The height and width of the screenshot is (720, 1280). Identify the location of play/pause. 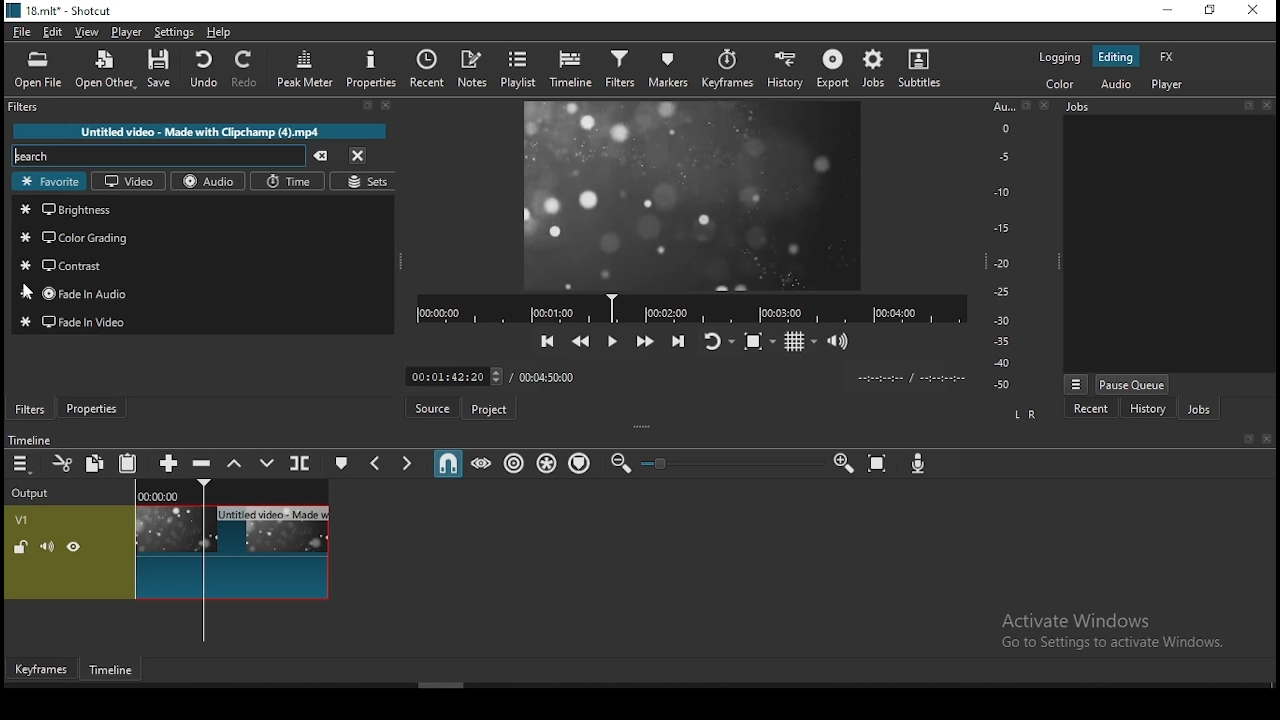
(614, 342).